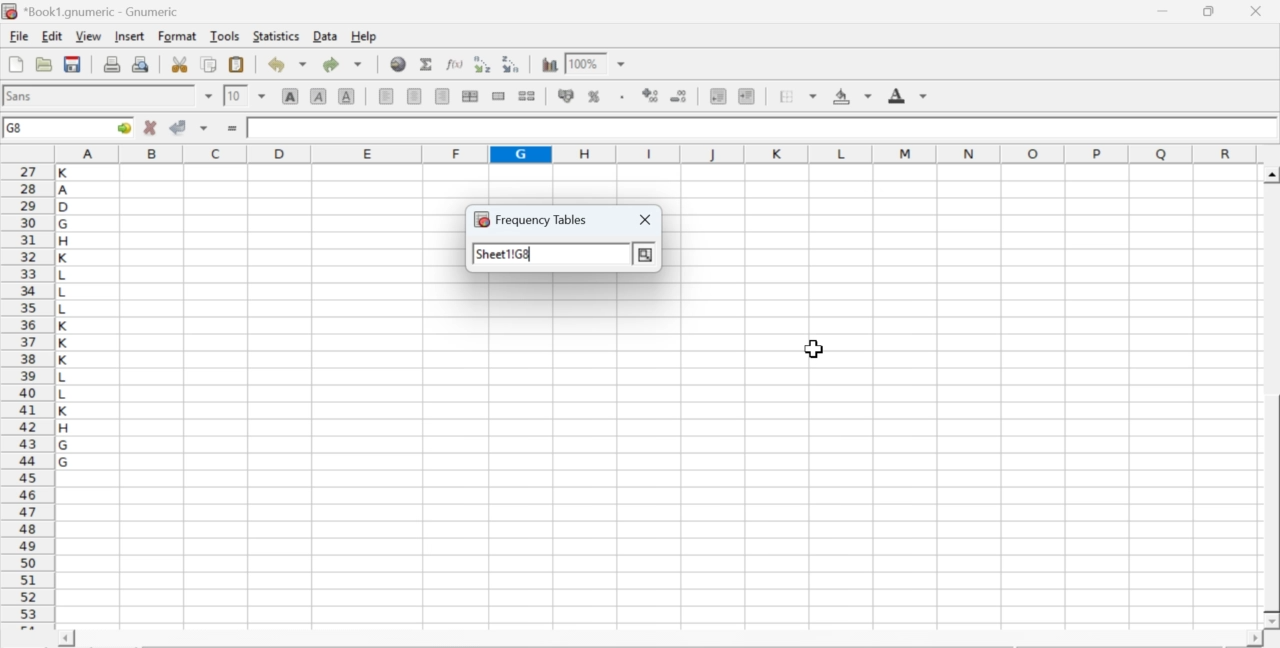 The width and height of the screenshot is (1280, 648). I want to click on 100%, so click(583, 63).